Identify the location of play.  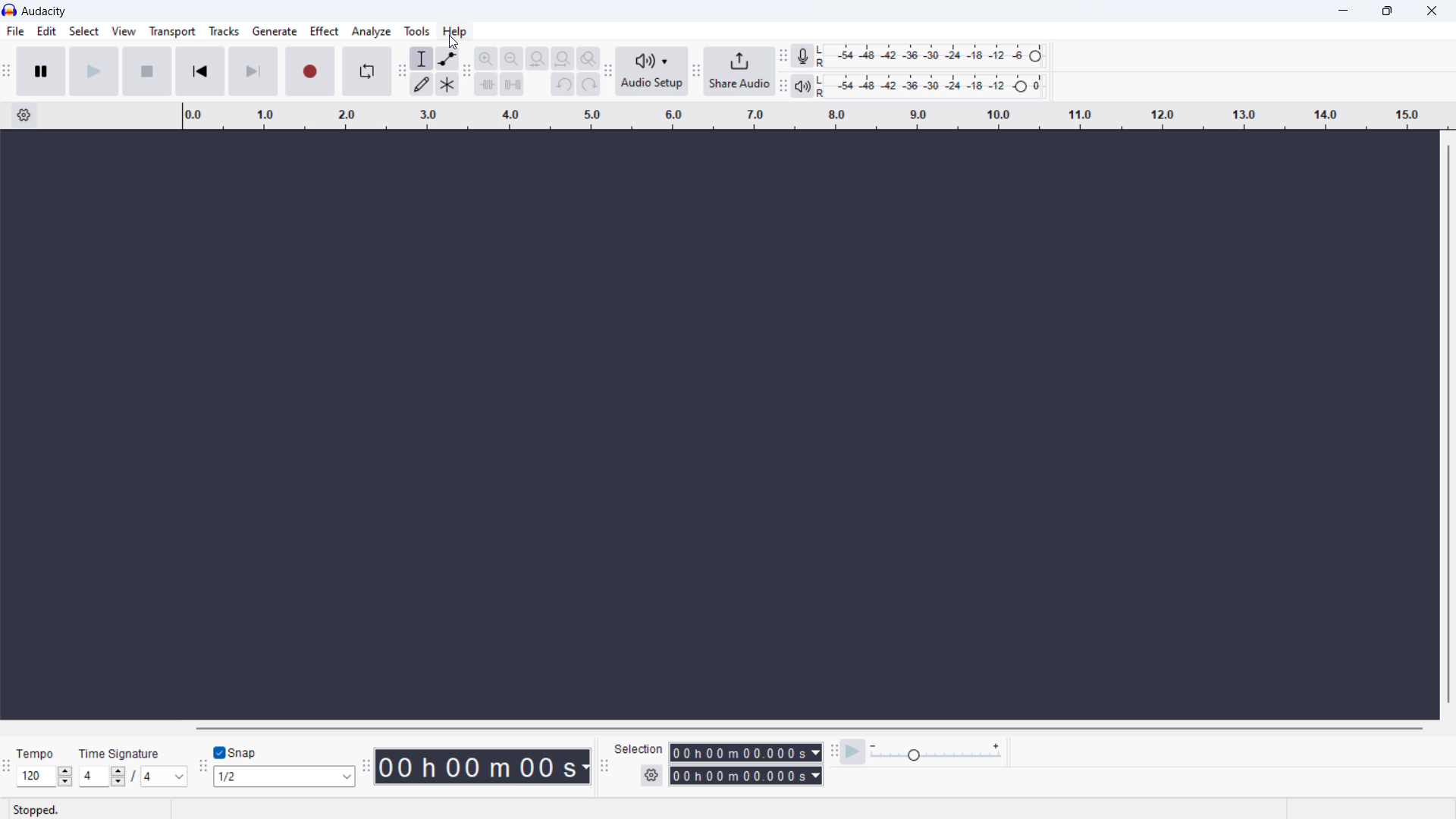
(95, 71).